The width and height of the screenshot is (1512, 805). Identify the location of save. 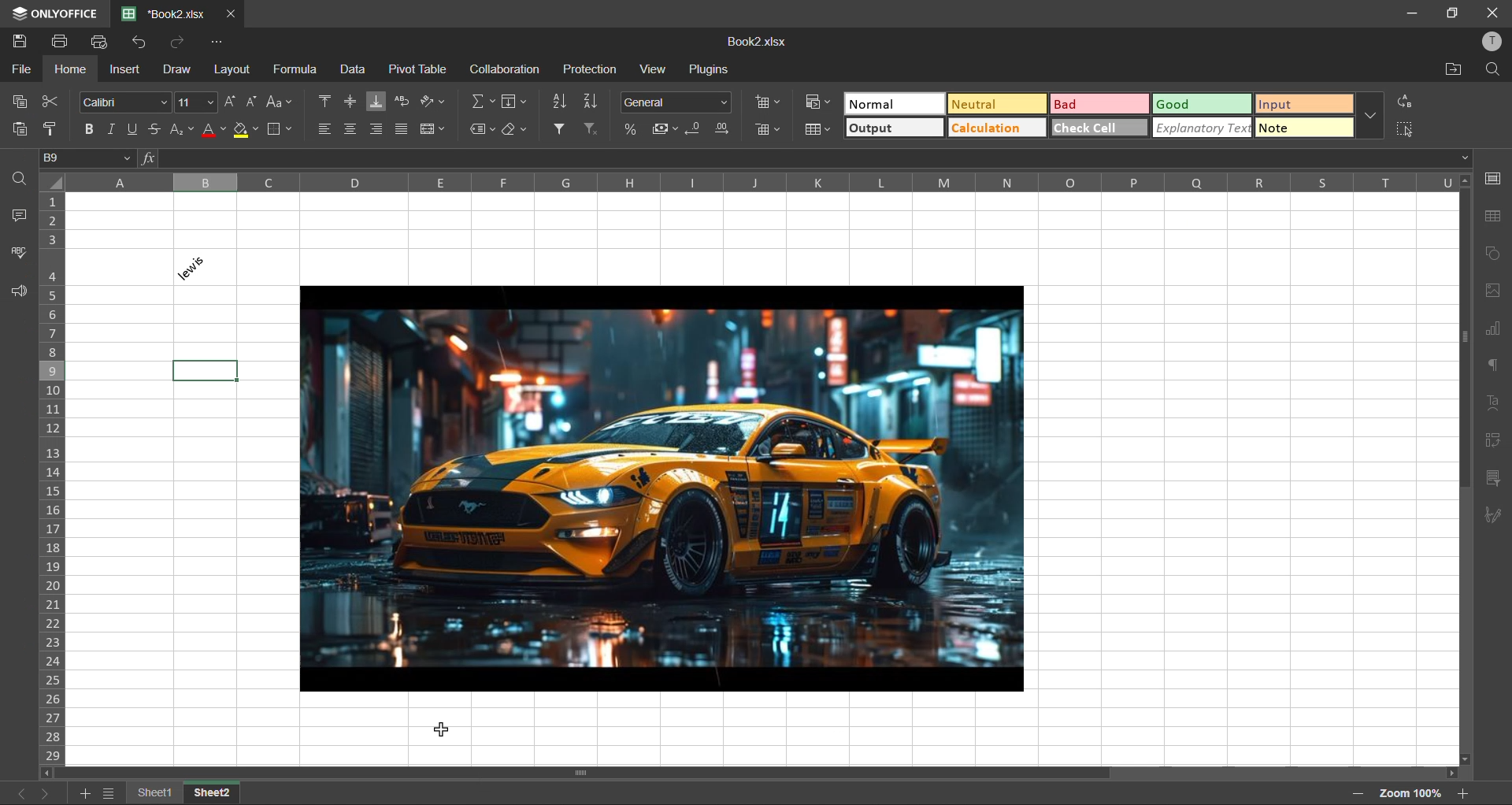
(21, 42).